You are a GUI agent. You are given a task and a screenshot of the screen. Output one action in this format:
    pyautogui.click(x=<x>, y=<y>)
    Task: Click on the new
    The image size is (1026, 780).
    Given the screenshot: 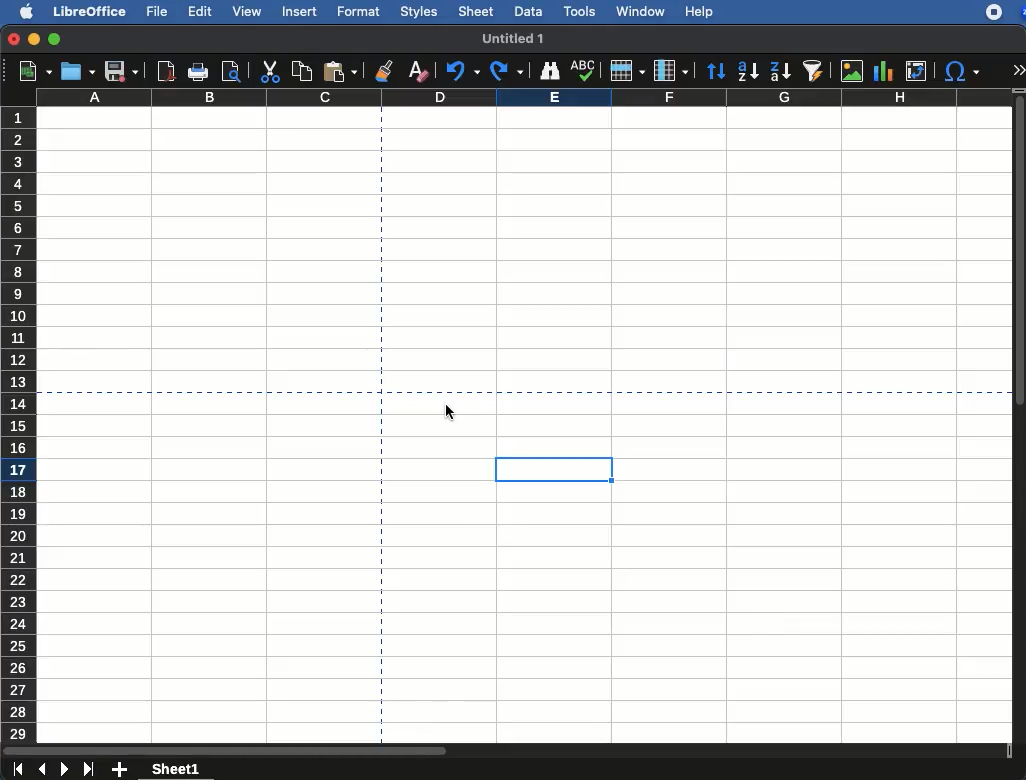 What is the action you would take?
    pyautogui.click(x=29, y=73)
    